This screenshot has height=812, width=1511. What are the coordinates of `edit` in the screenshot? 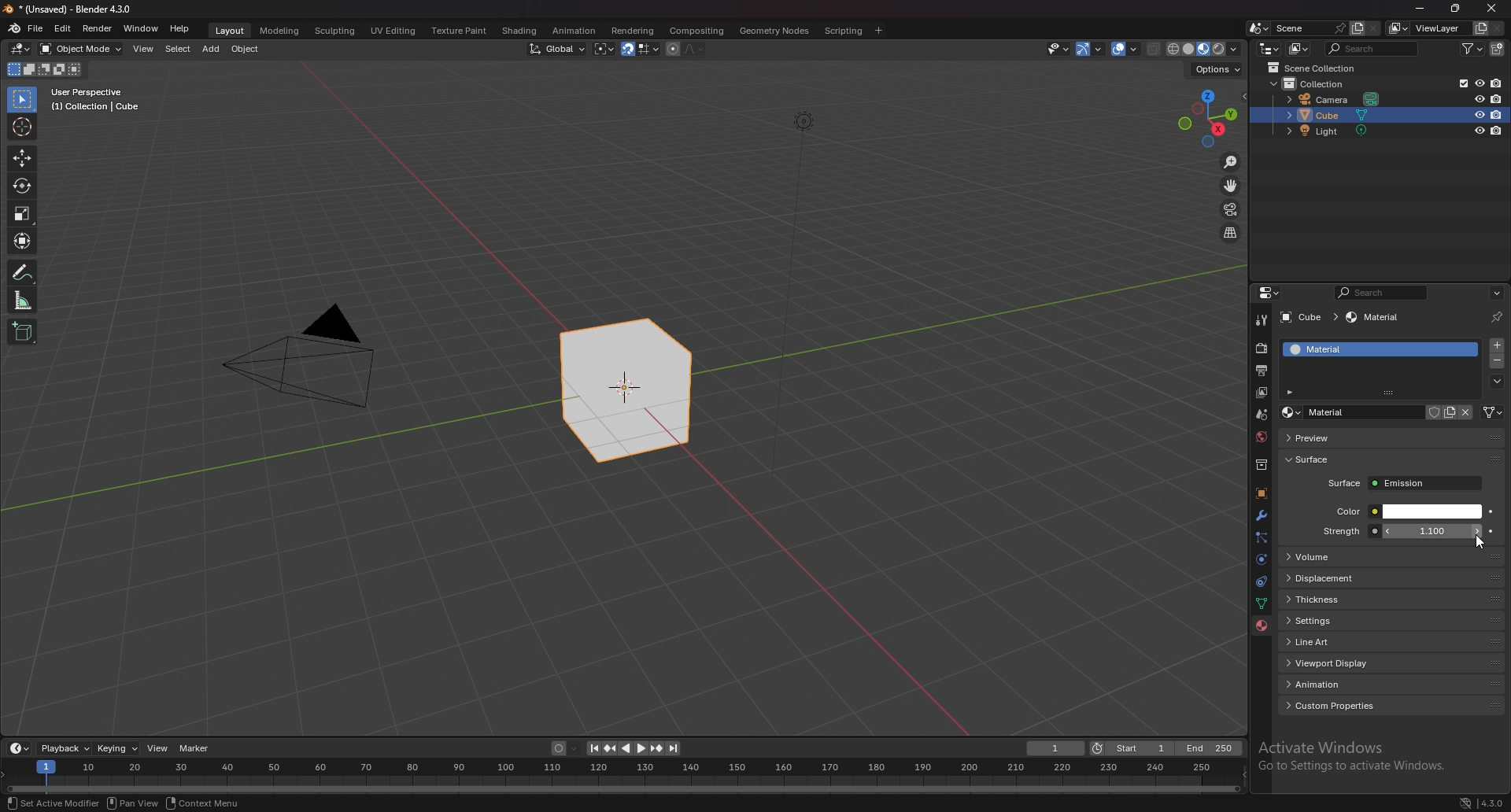 It's located at (65, 28).